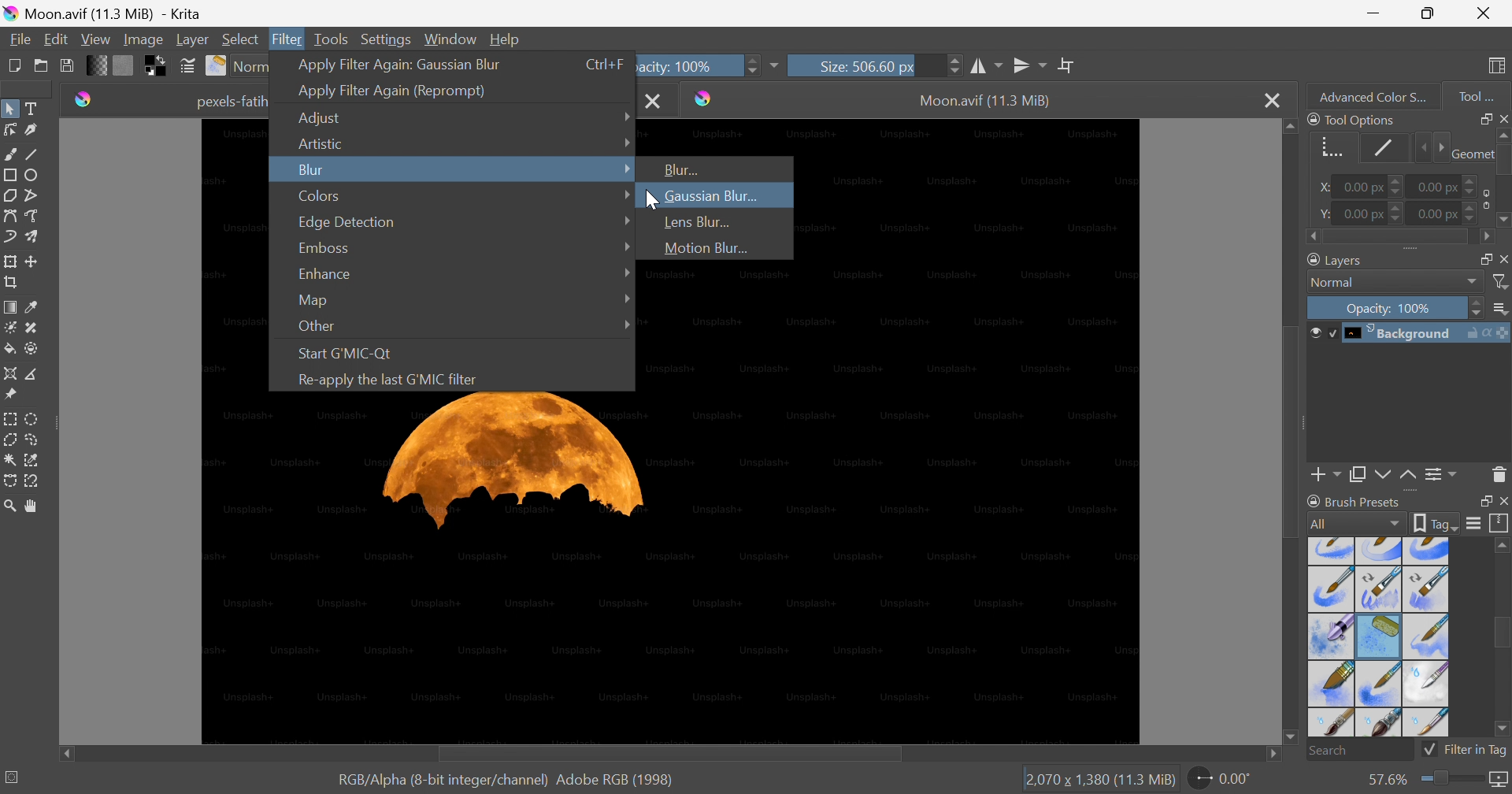 The width and height of the screenshot is (1512, 794). I want to click on Drop Down, so click(624, 324).